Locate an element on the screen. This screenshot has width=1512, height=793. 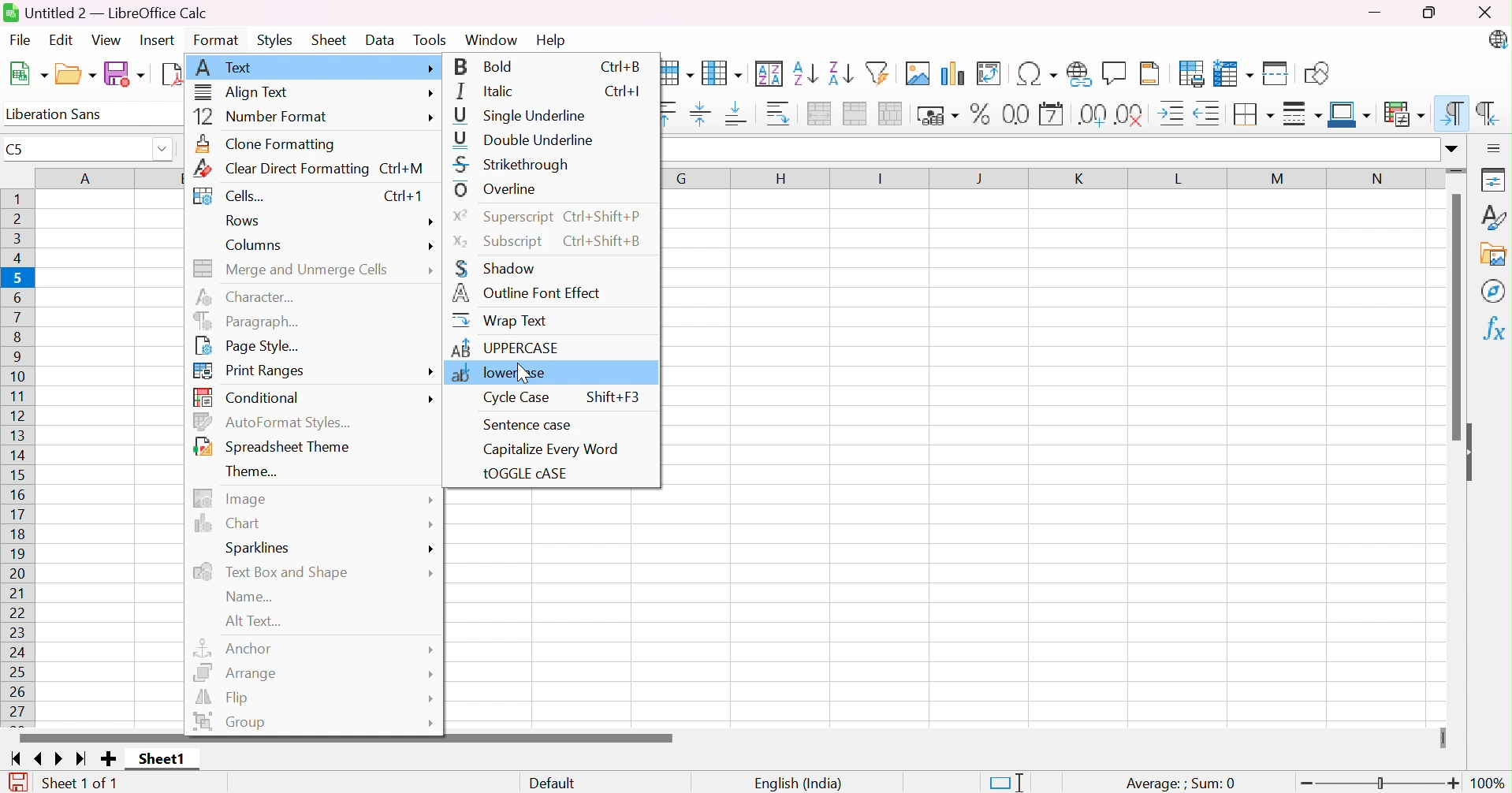
Slider is located at coordinates (1443, 735).